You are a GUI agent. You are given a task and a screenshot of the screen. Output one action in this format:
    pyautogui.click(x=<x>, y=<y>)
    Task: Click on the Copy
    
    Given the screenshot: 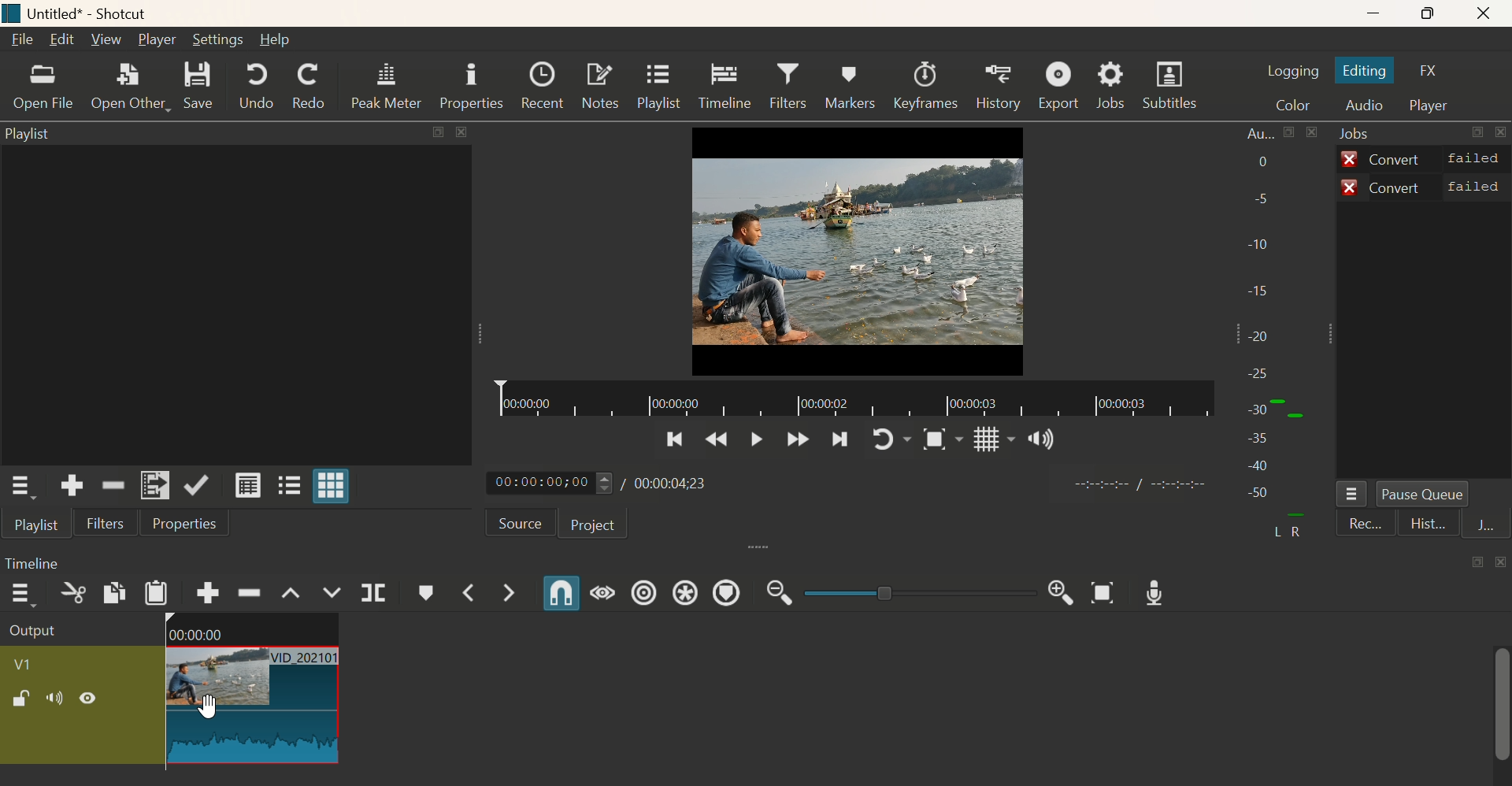 What is the action you would take?
    pyautogui.click(x=111, y=595)
    